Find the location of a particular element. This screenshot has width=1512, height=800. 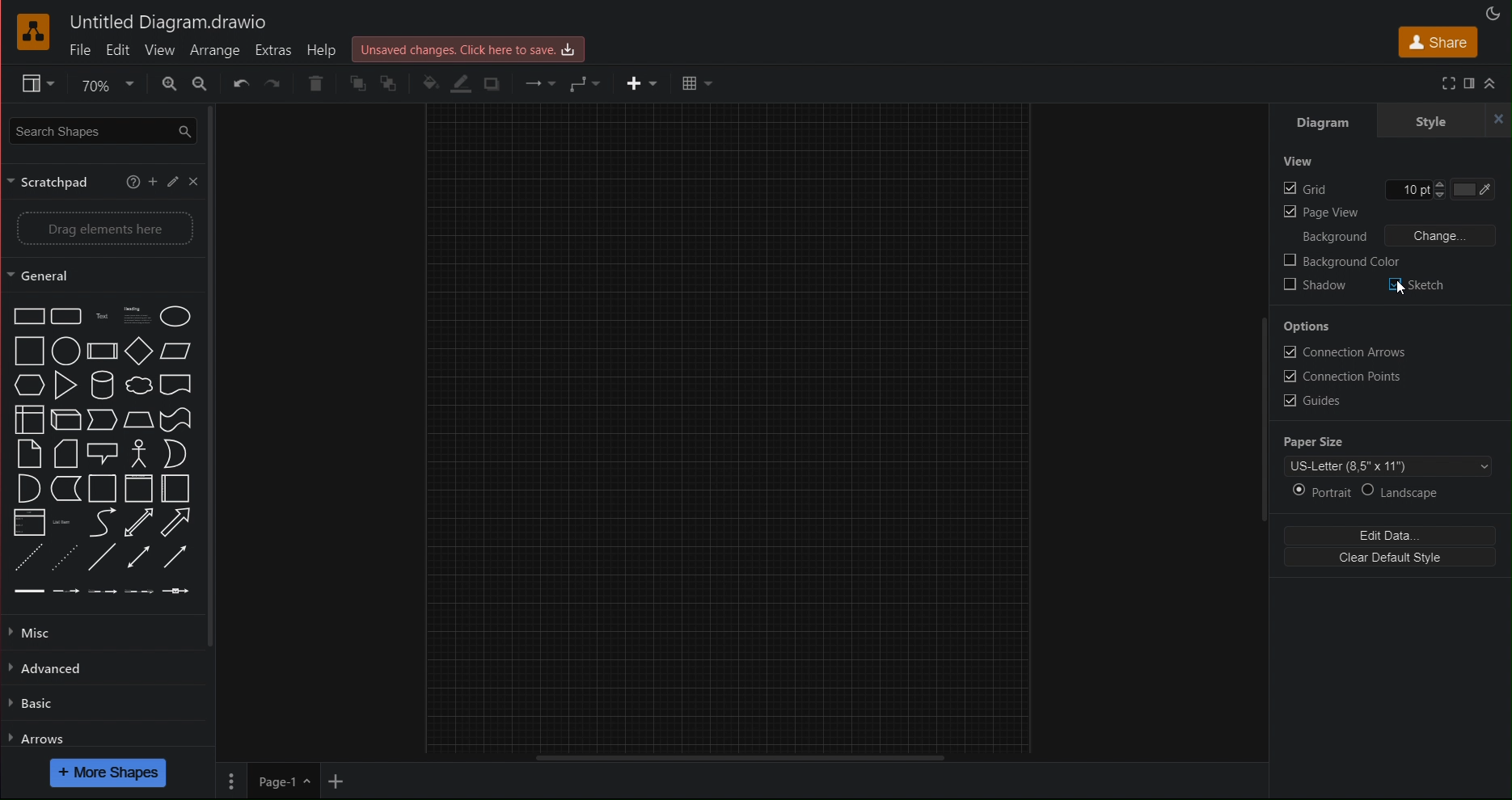

triangle is located at coordinates (64, 385).